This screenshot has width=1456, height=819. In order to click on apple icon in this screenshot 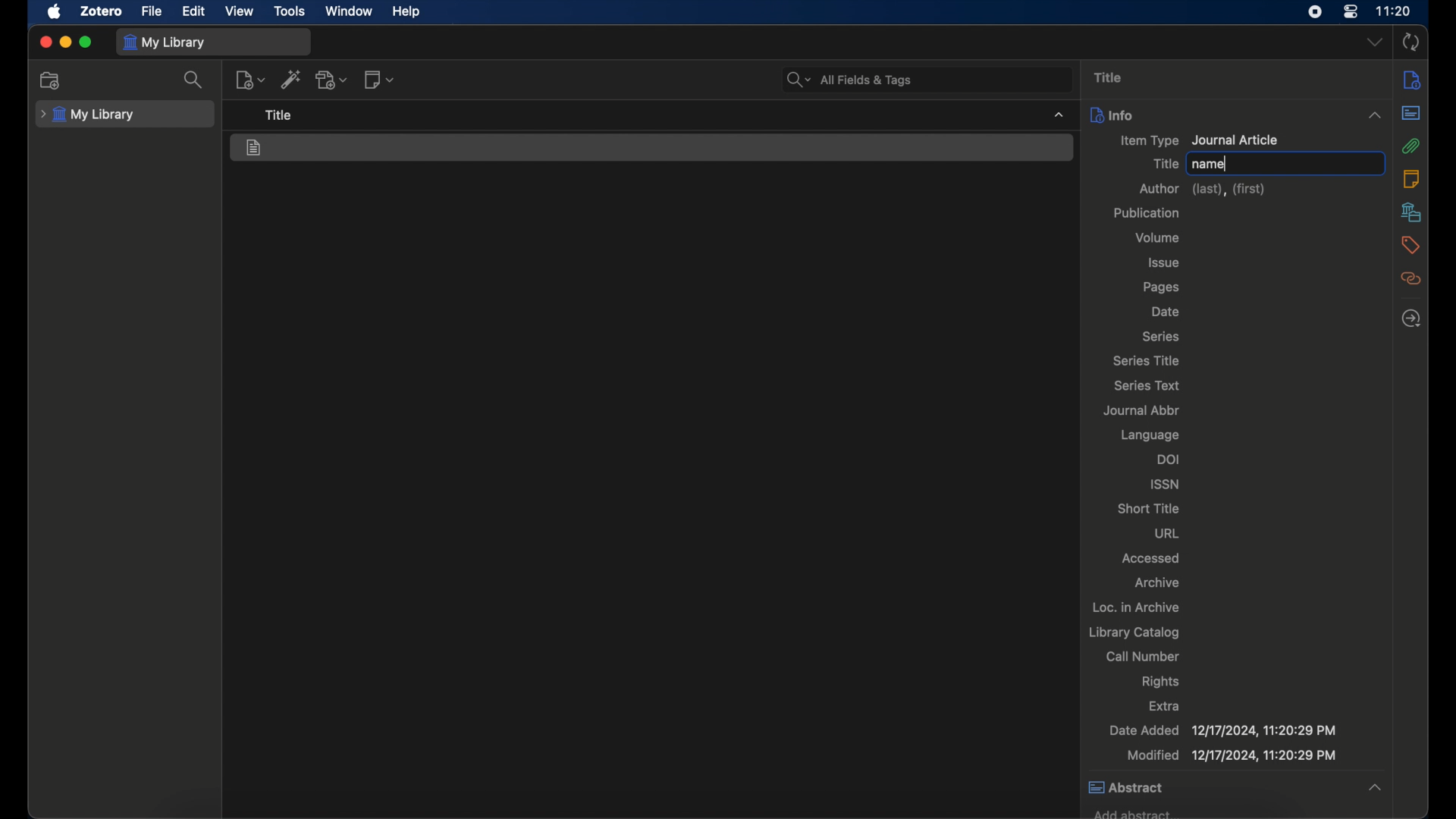, I will do `click(55, 12)`.